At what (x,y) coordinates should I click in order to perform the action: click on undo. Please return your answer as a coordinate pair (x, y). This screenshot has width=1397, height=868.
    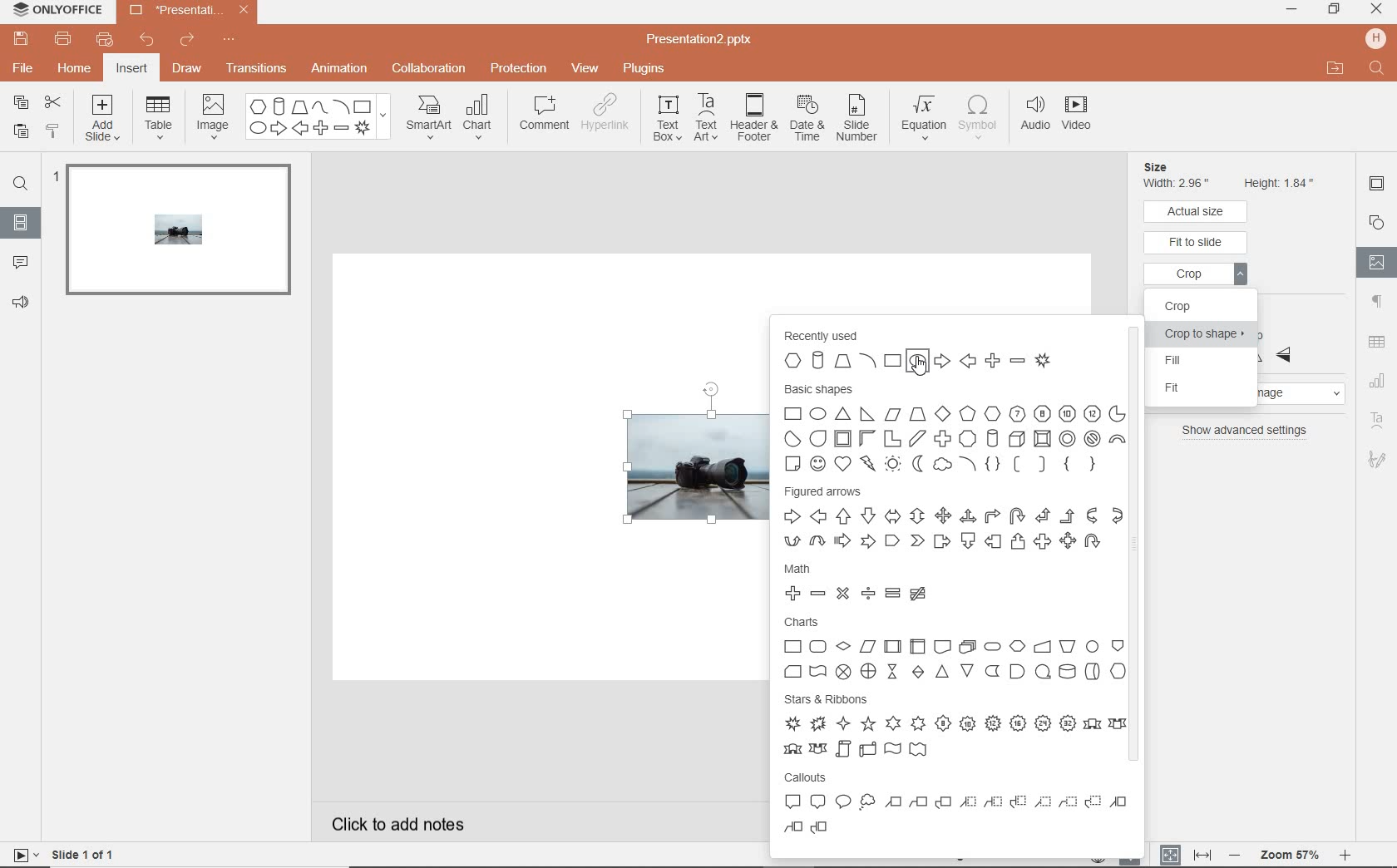
    Looking at the image, I should click on (147, 40).